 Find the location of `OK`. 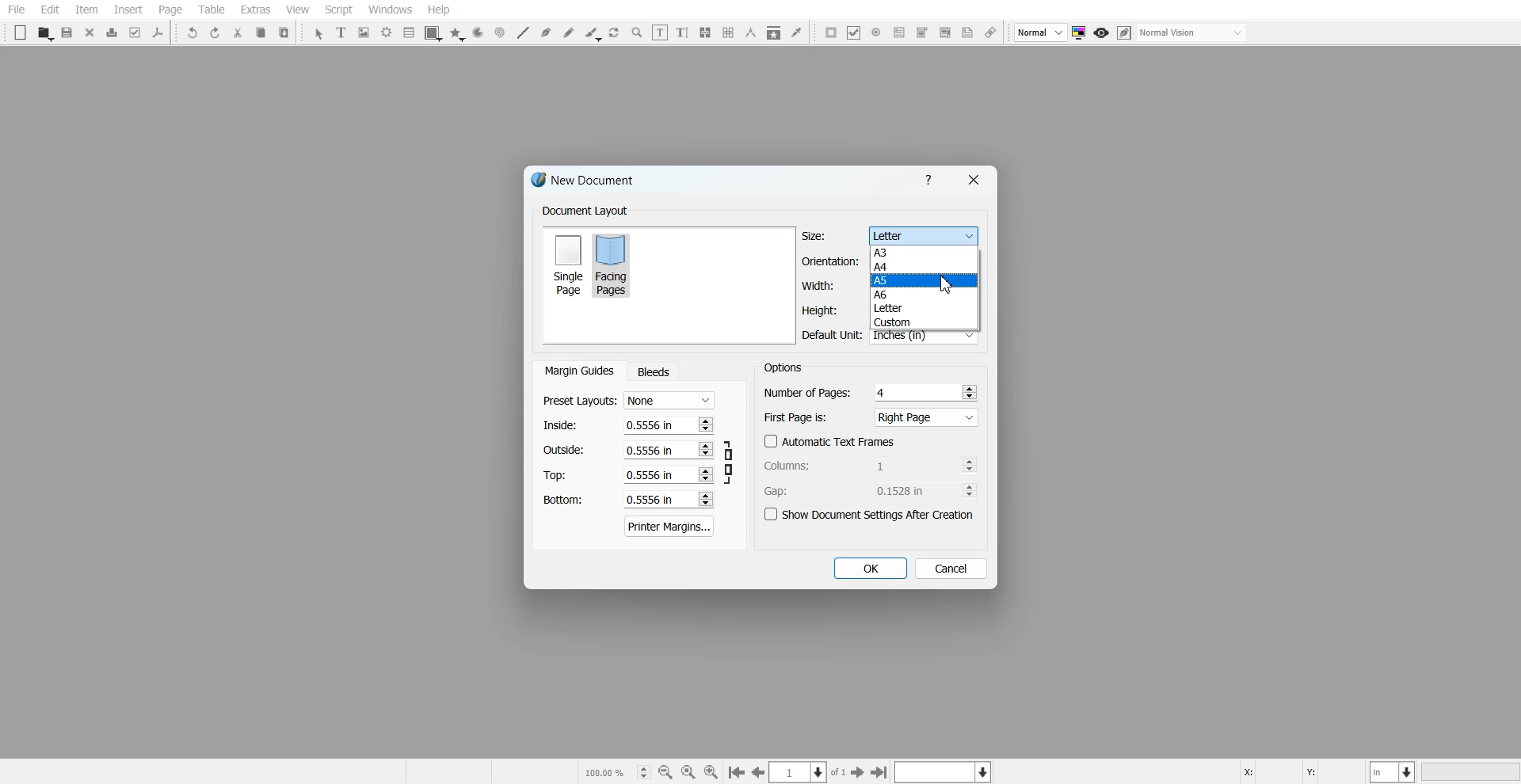

OK is located at coordinates (869, 569).